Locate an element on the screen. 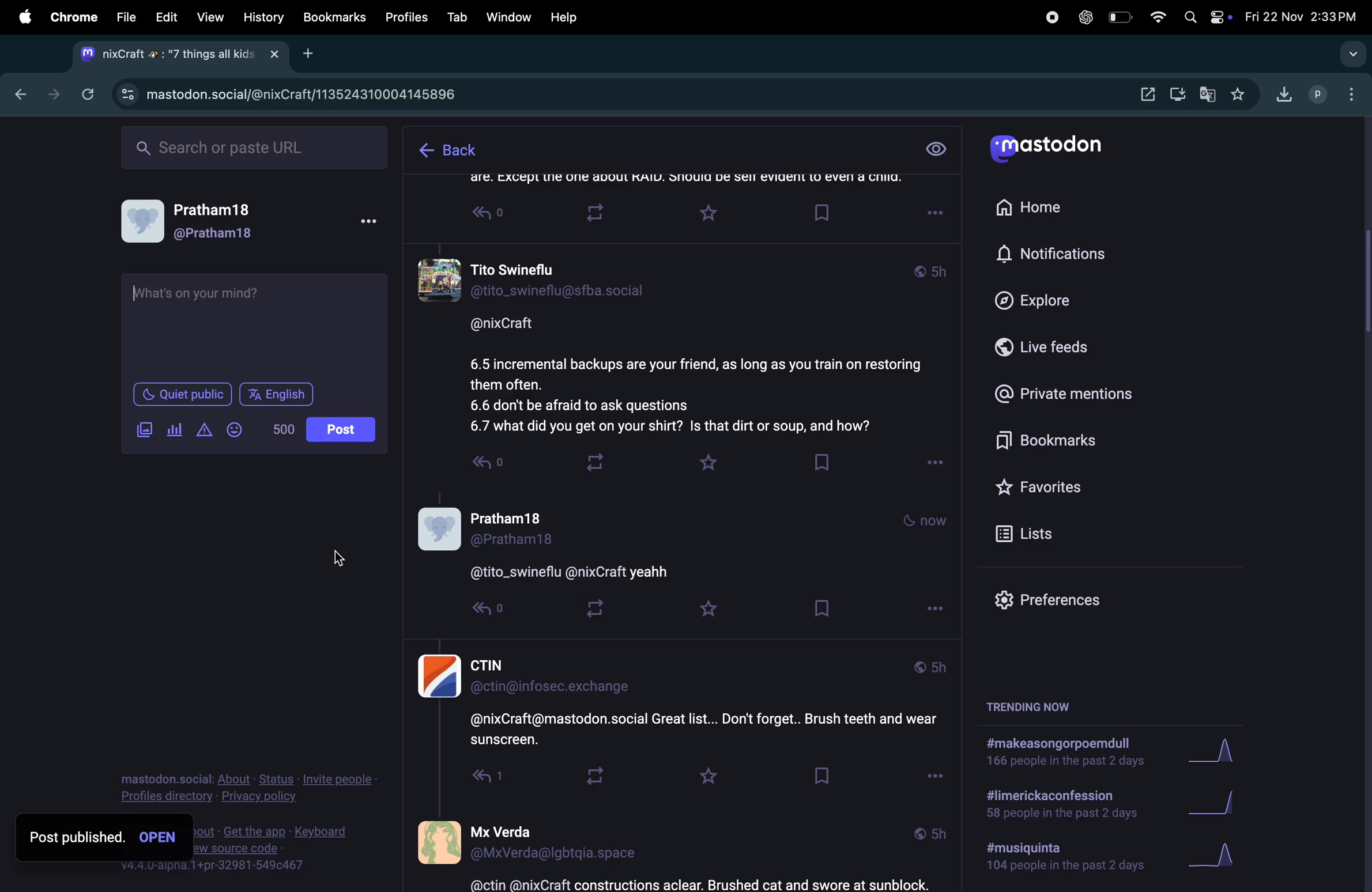 The width and height of the screenshot is (1372, 892). quiet public is located at coordinates (181, 394).